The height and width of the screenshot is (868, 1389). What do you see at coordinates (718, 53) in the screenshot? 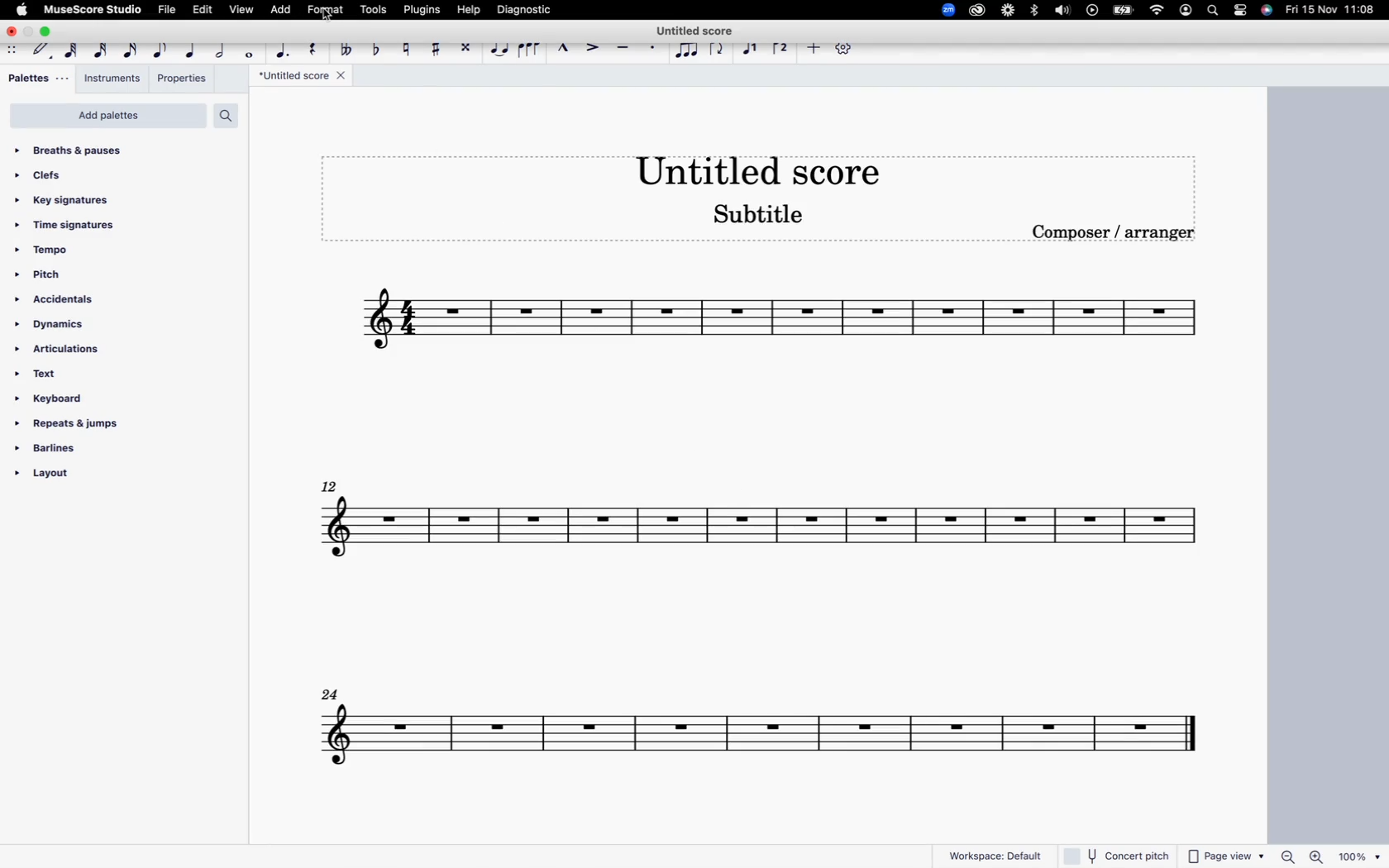
I see `flip direction` at bounding box center [718, 53].